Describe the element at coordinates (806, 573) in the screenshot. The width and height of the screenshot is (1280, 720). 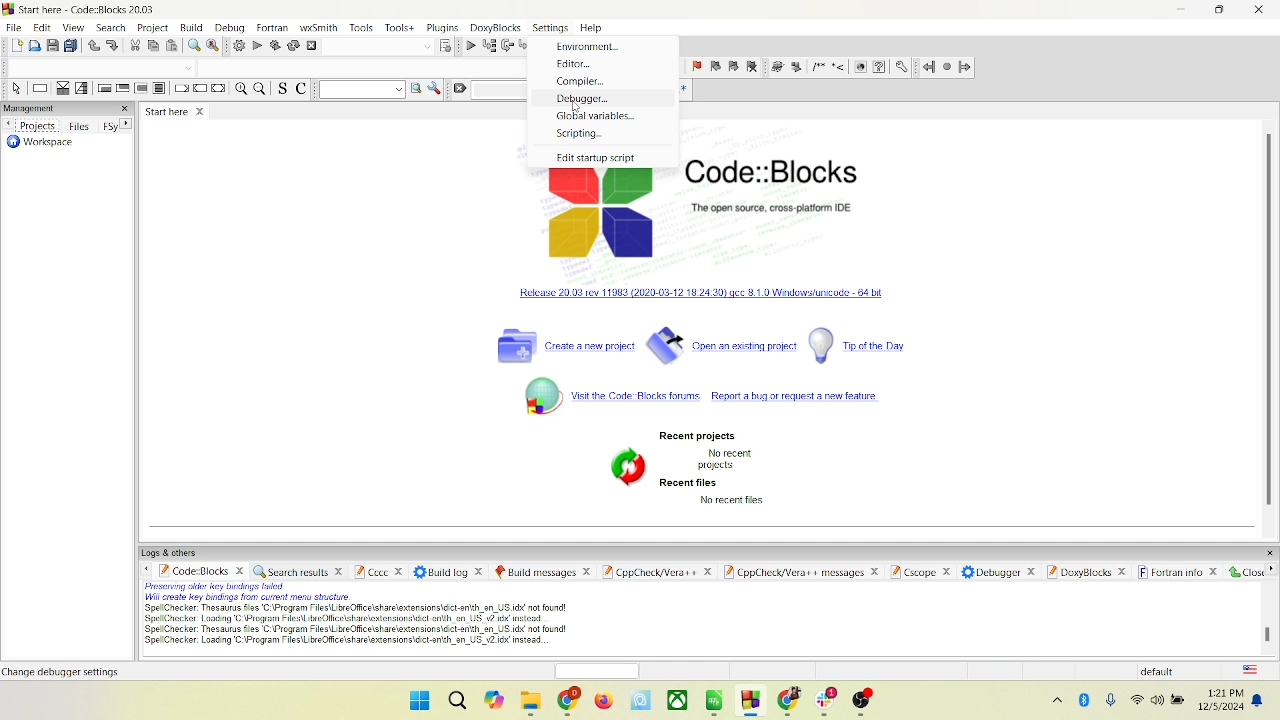
I see `Cppcheck/ver++ message` at that location.